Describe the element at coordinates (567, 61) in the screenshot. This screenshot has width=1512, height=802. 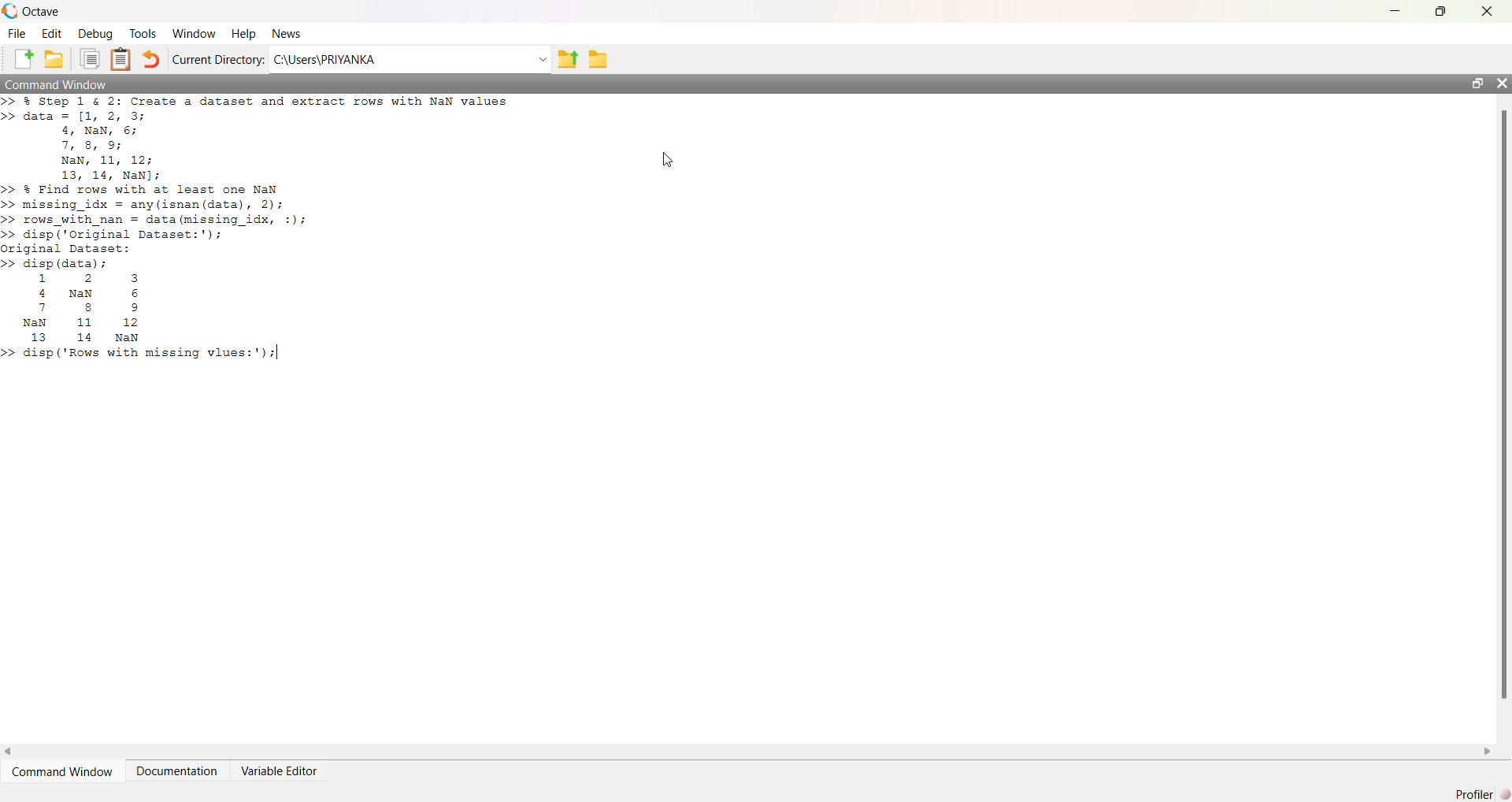
I see `previous folder` at that location.